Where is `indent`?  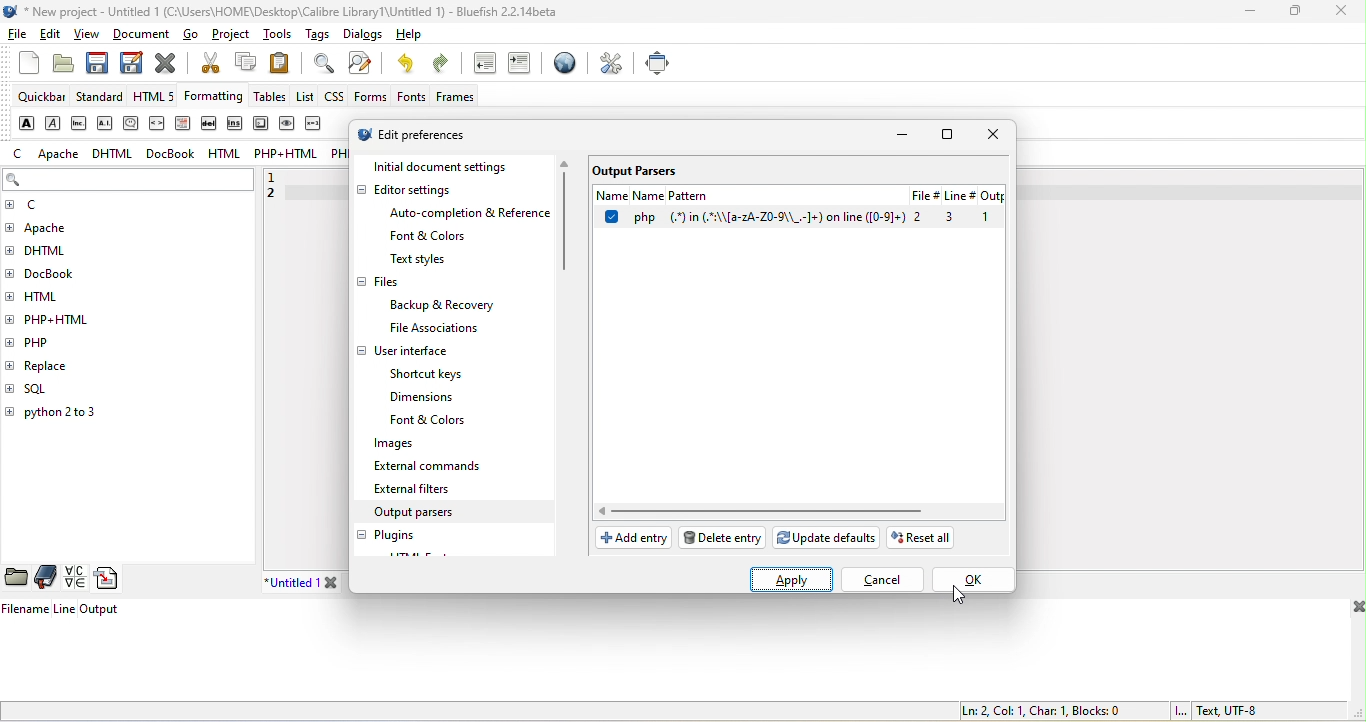
indent is located at coordinates (522, 65).